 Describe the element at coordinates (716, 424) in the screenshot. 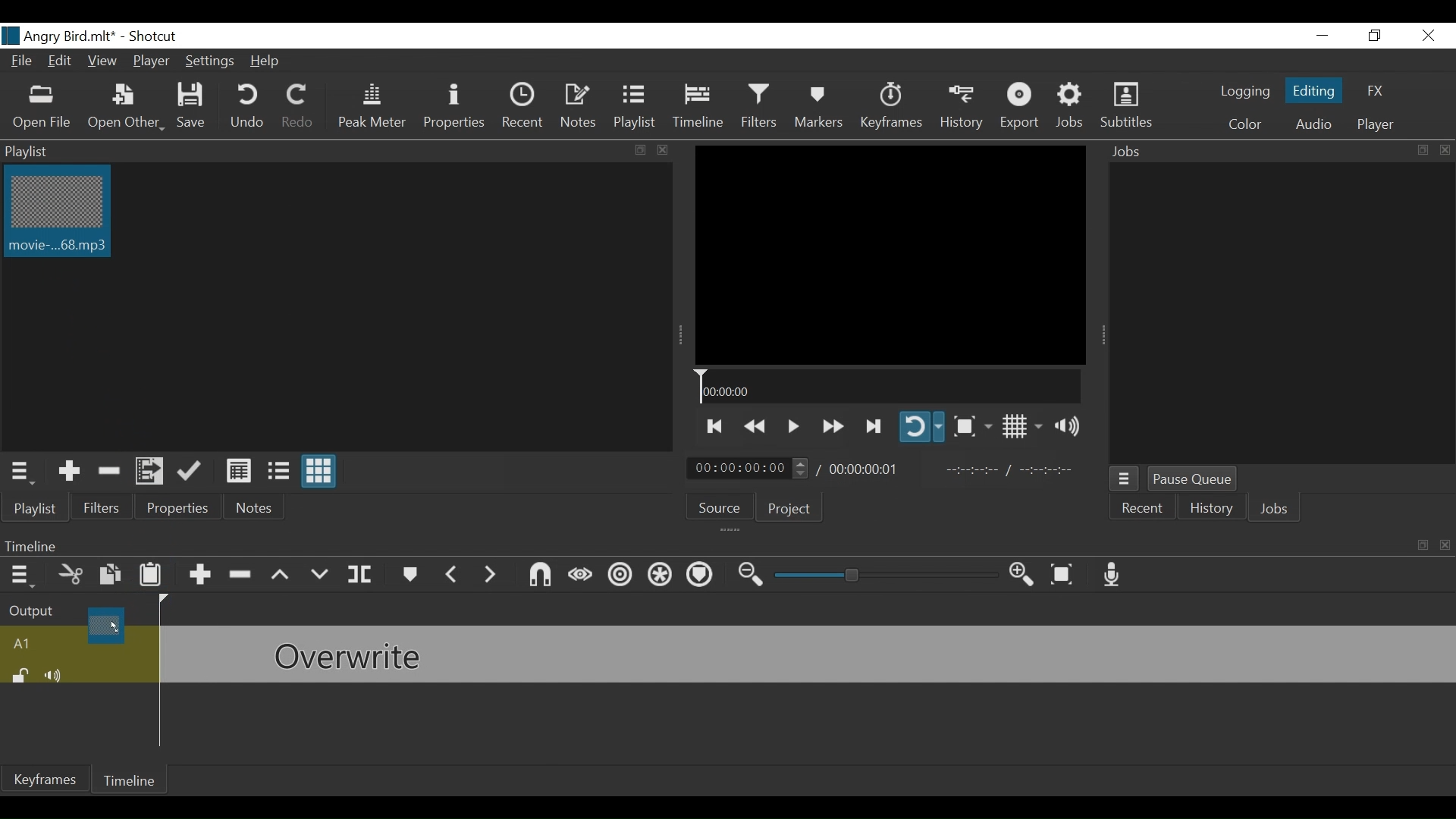

I see `Skip to the next to point` at that location.